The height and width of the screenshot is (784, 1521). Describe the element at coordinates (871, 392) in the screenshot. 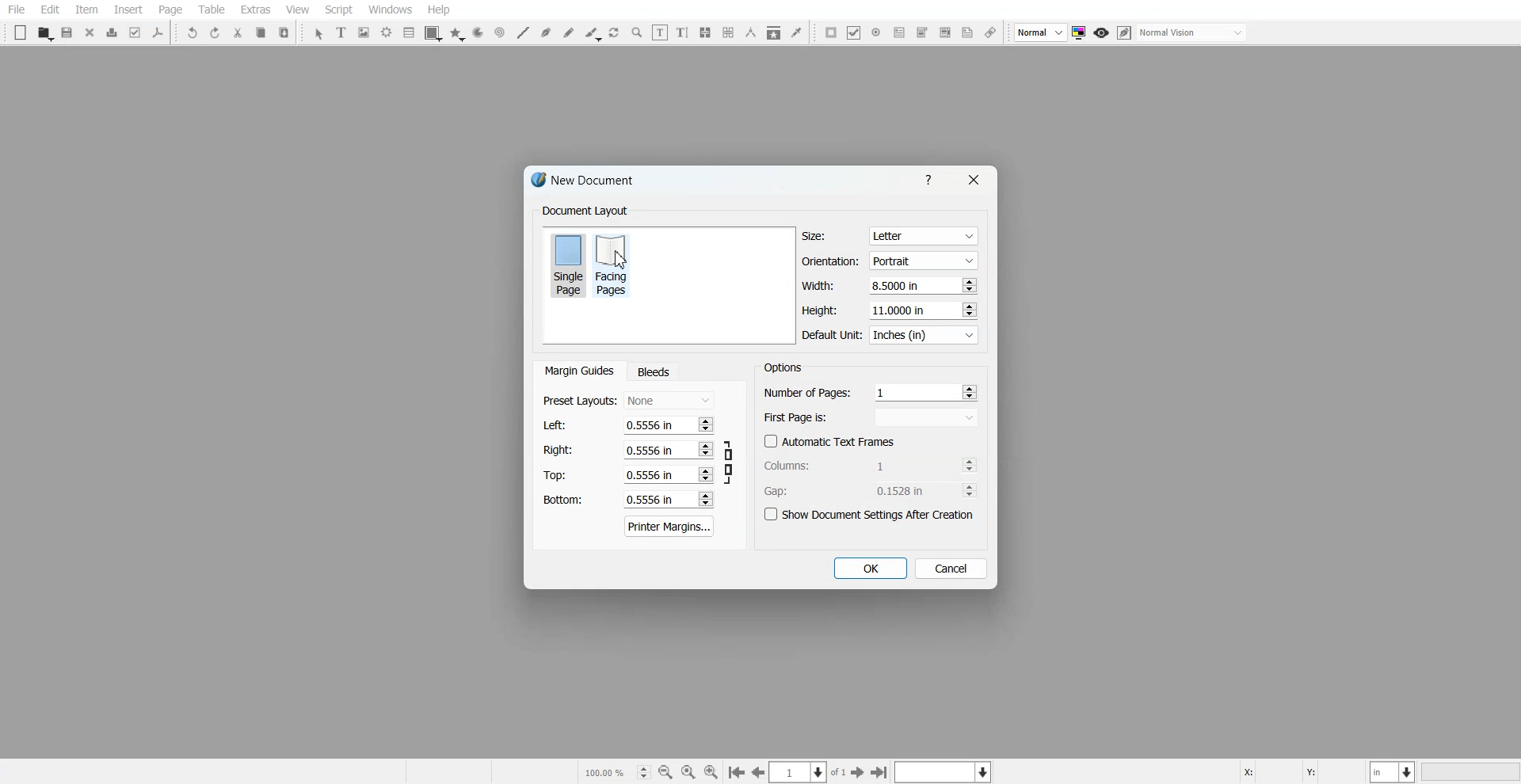

I see `Number of Pages` at that location.